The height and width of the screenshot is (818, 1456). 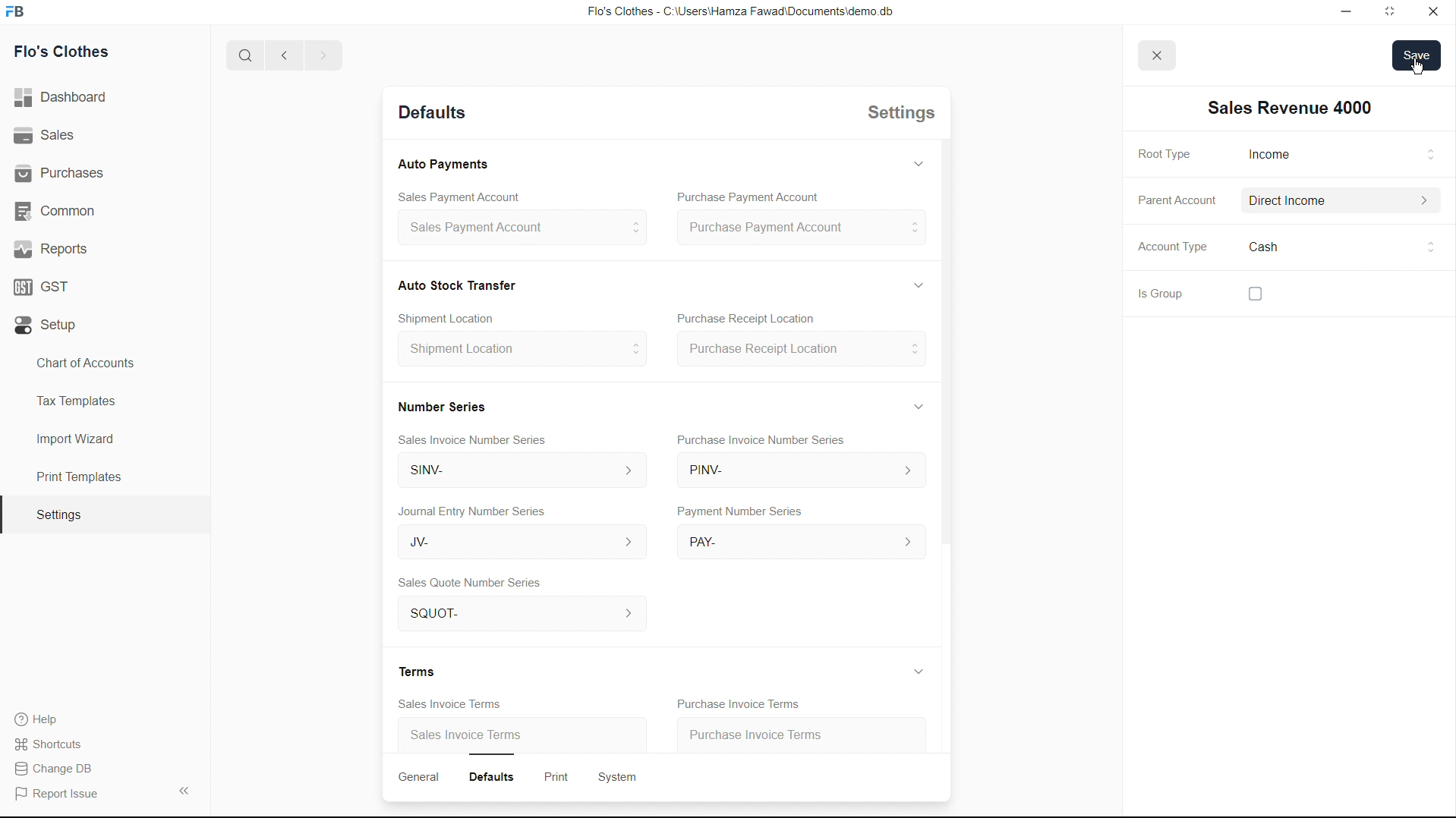 What do you see at coordinates (48, 136) in the screenshot?
I see `Sales` at bounding box center [48, 136].